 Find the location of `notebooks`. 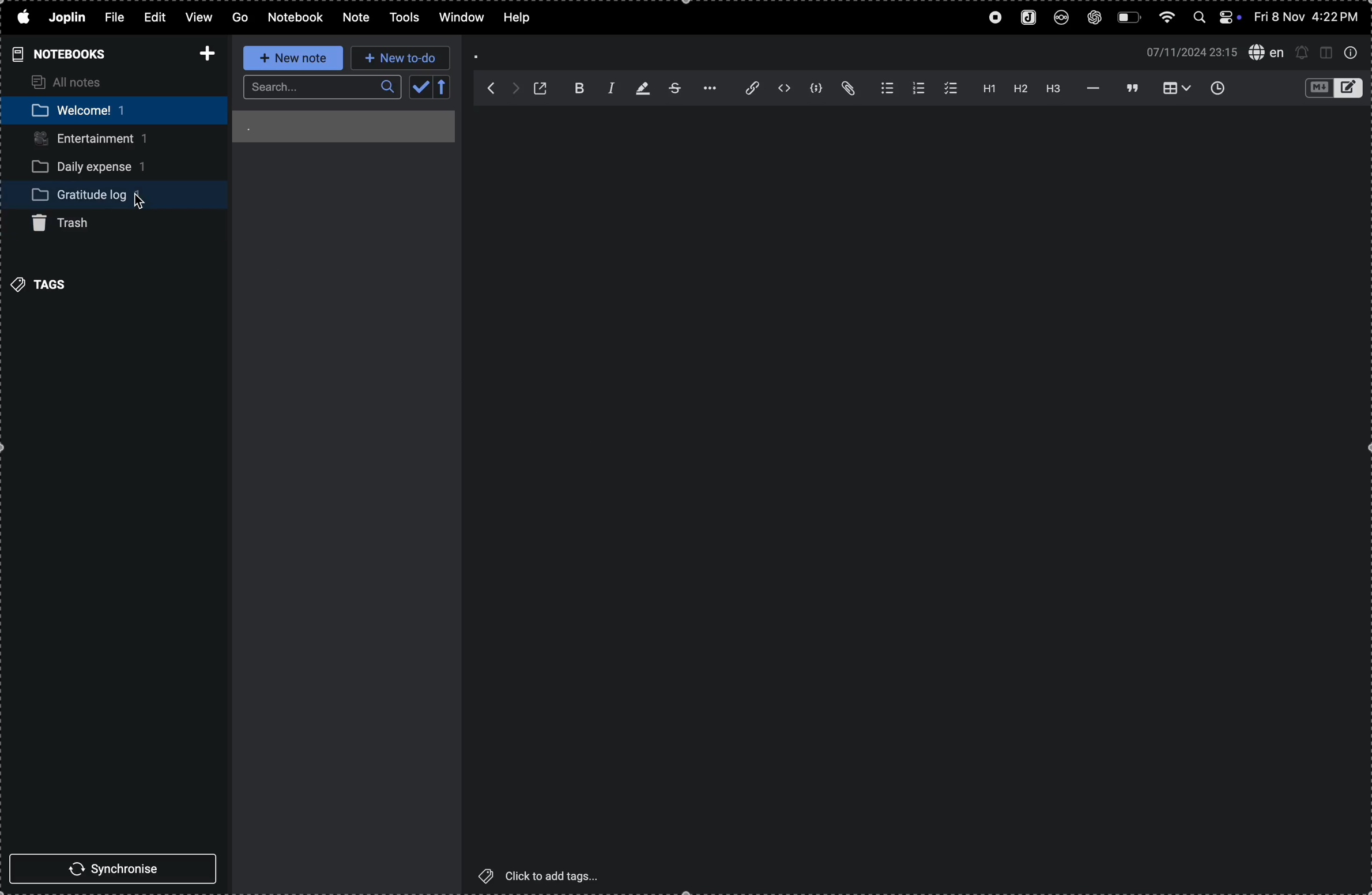

notebooks is located at coordinates (67, 54).